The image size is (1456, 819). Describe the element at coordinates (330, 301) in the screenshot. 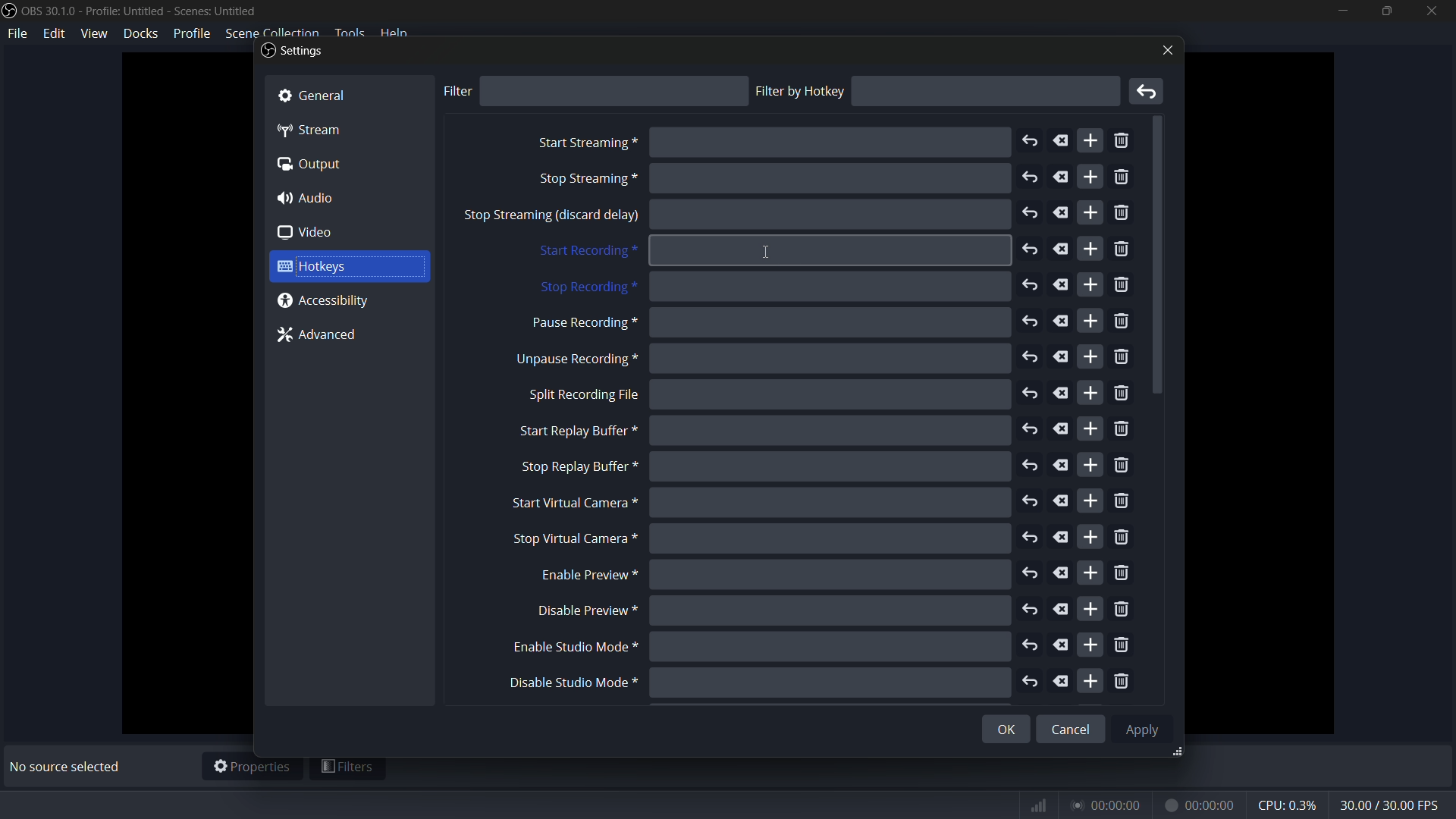

I see `@ Accessibility` at that location.